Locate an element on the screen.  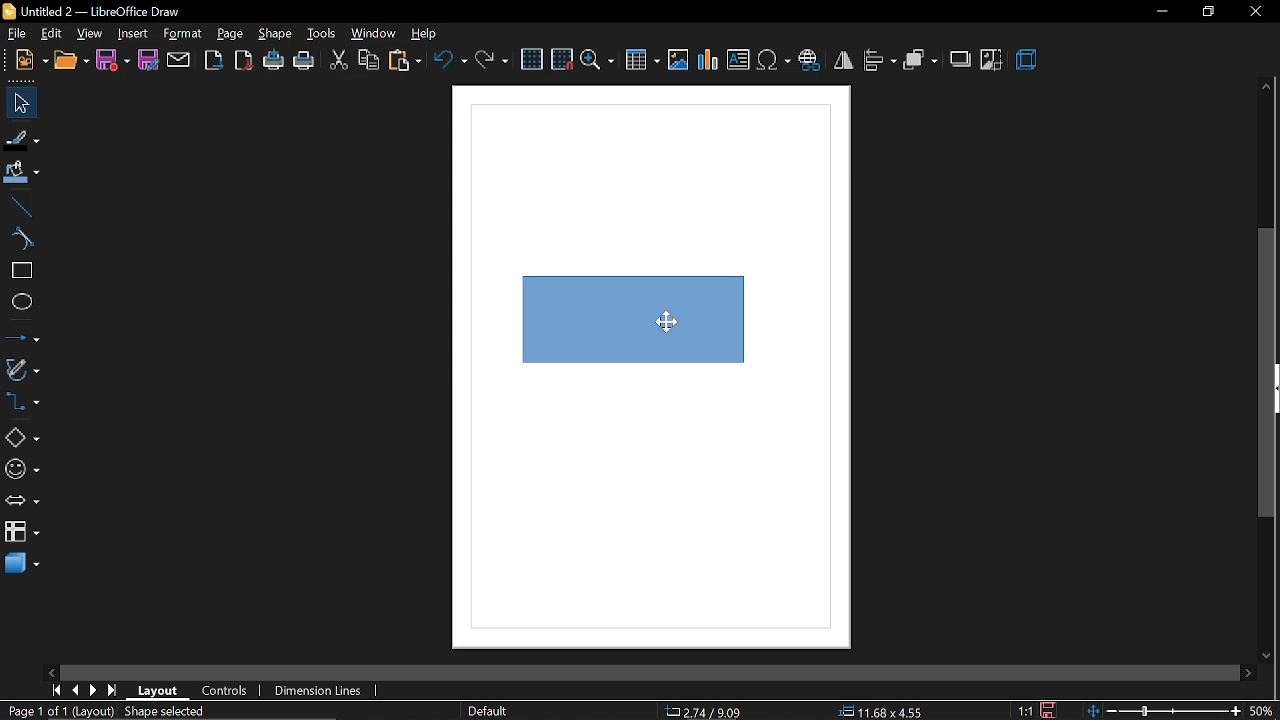
edit is located at coordinates (51, 34).